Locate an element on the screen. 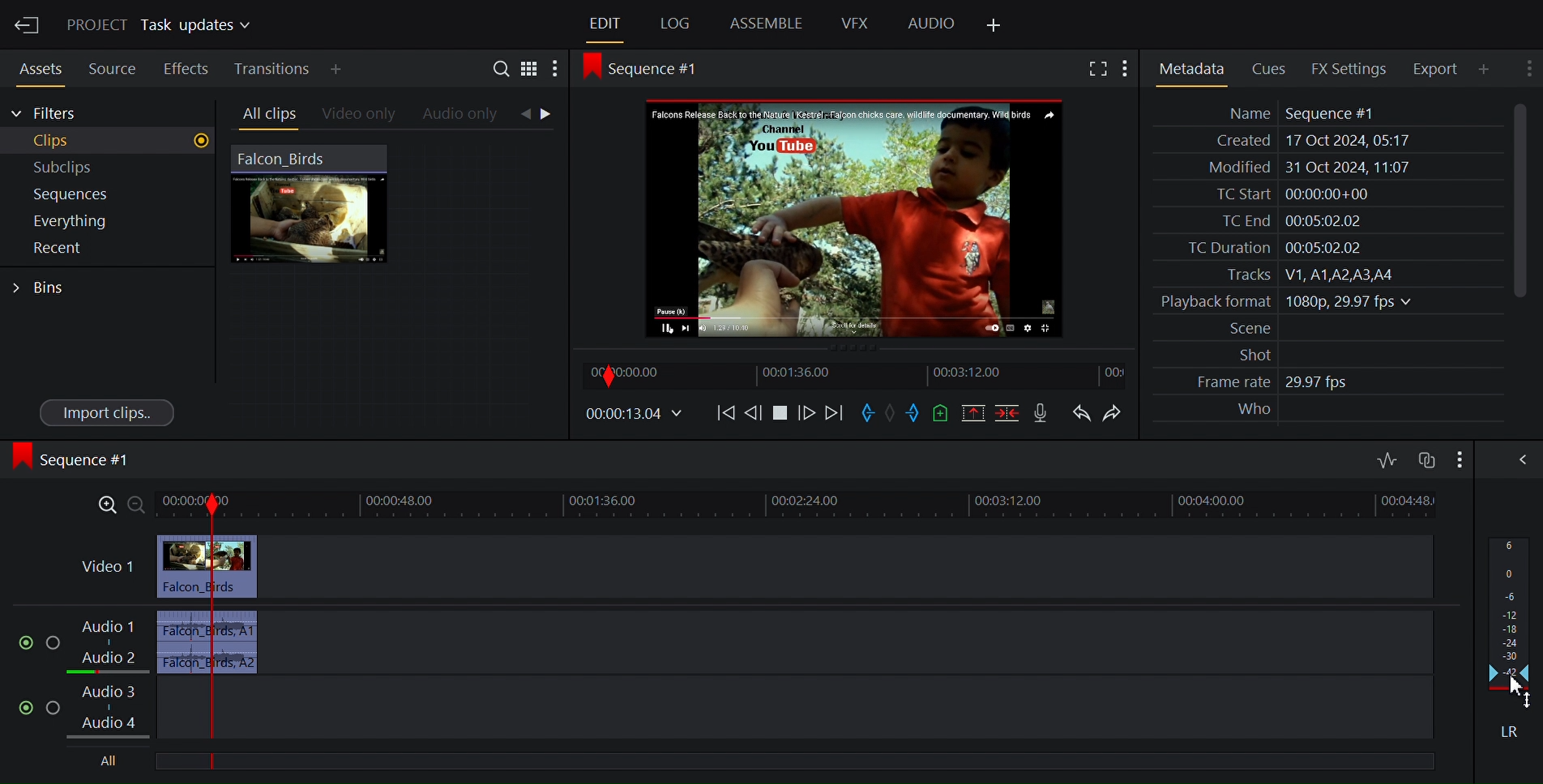 The height and width of the screenshot is (784, 1543). Add cue is located at coordinates (942, 413).